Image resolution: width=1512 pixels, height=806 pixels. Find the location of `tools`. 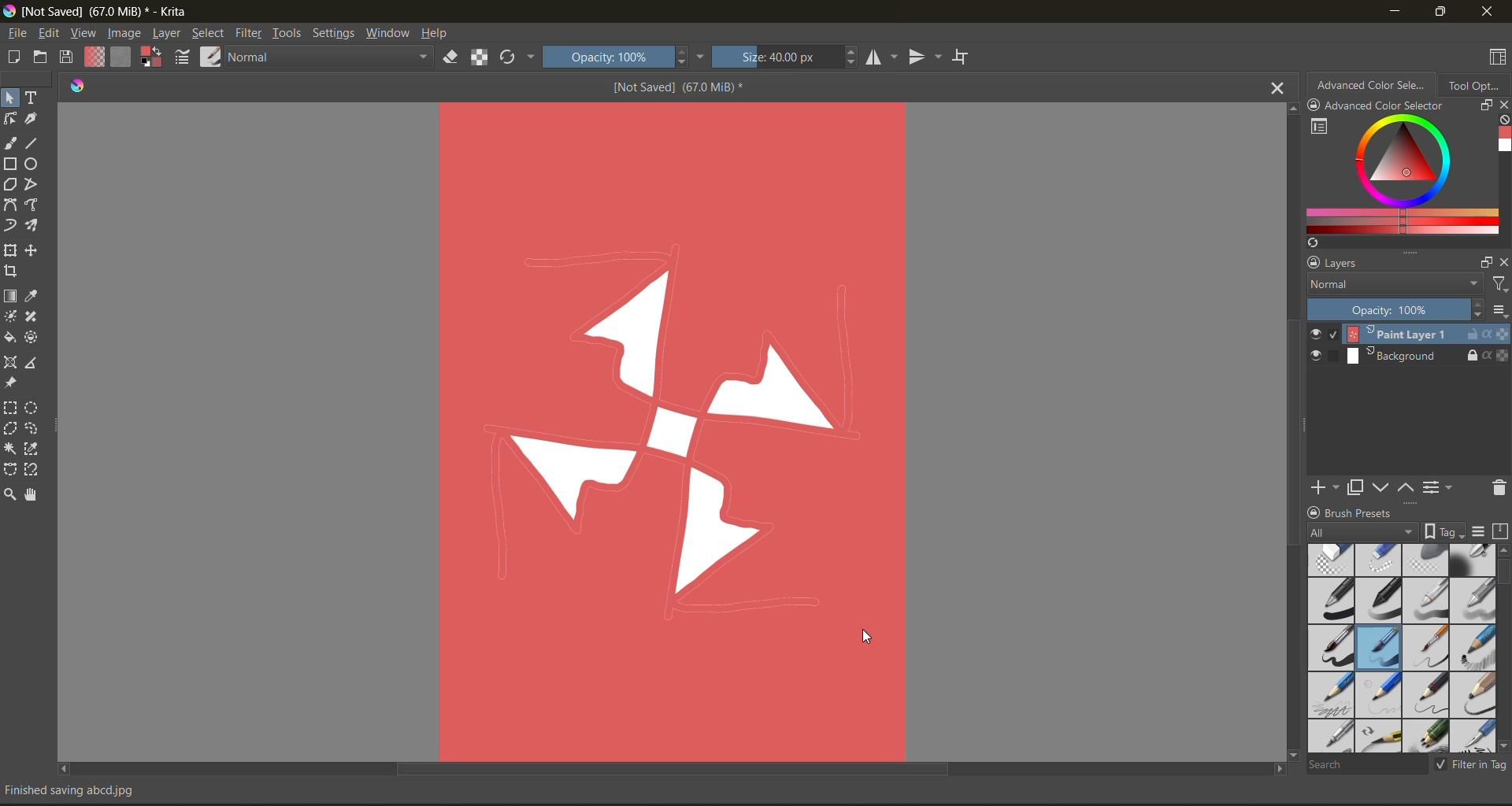

tools is located at coordinates (9, 493).